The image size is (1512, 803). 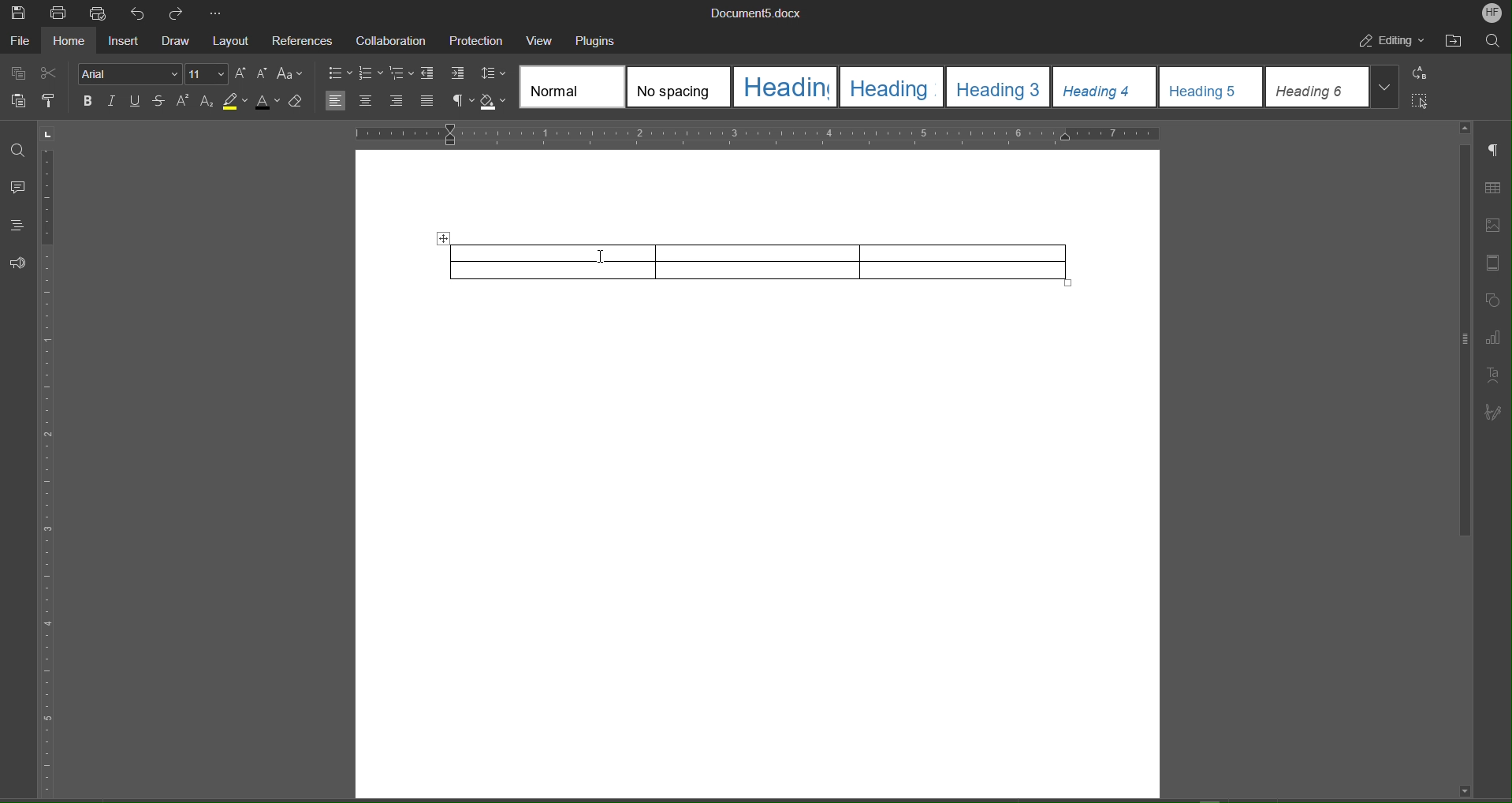 What do you see at coordinates (48, 133) in the screenshot?
I see `page orientation` at bounding box center [48, 133].